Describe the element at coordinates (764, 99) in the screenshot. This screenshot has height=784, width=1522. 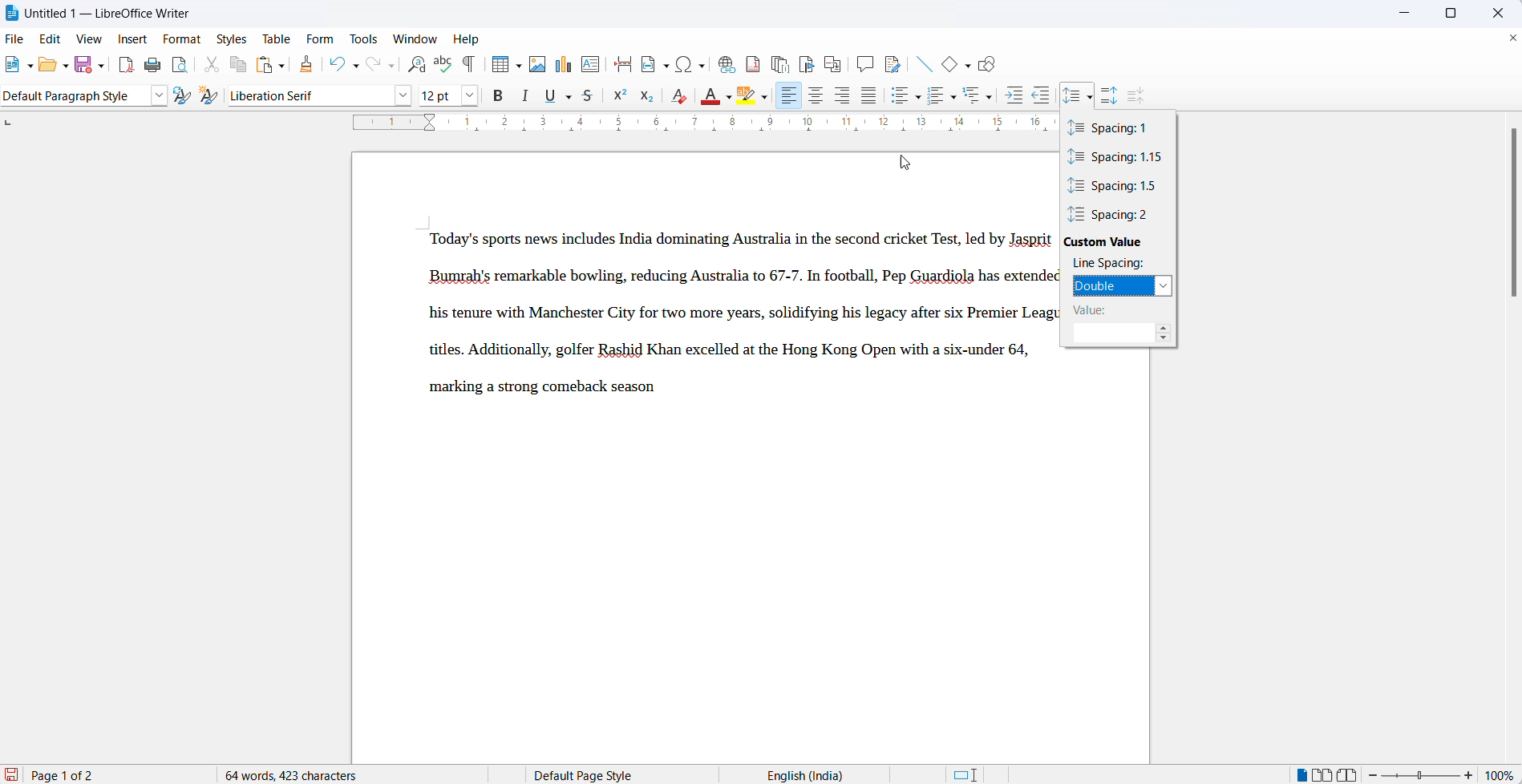
I see `character highlight options` at that location.